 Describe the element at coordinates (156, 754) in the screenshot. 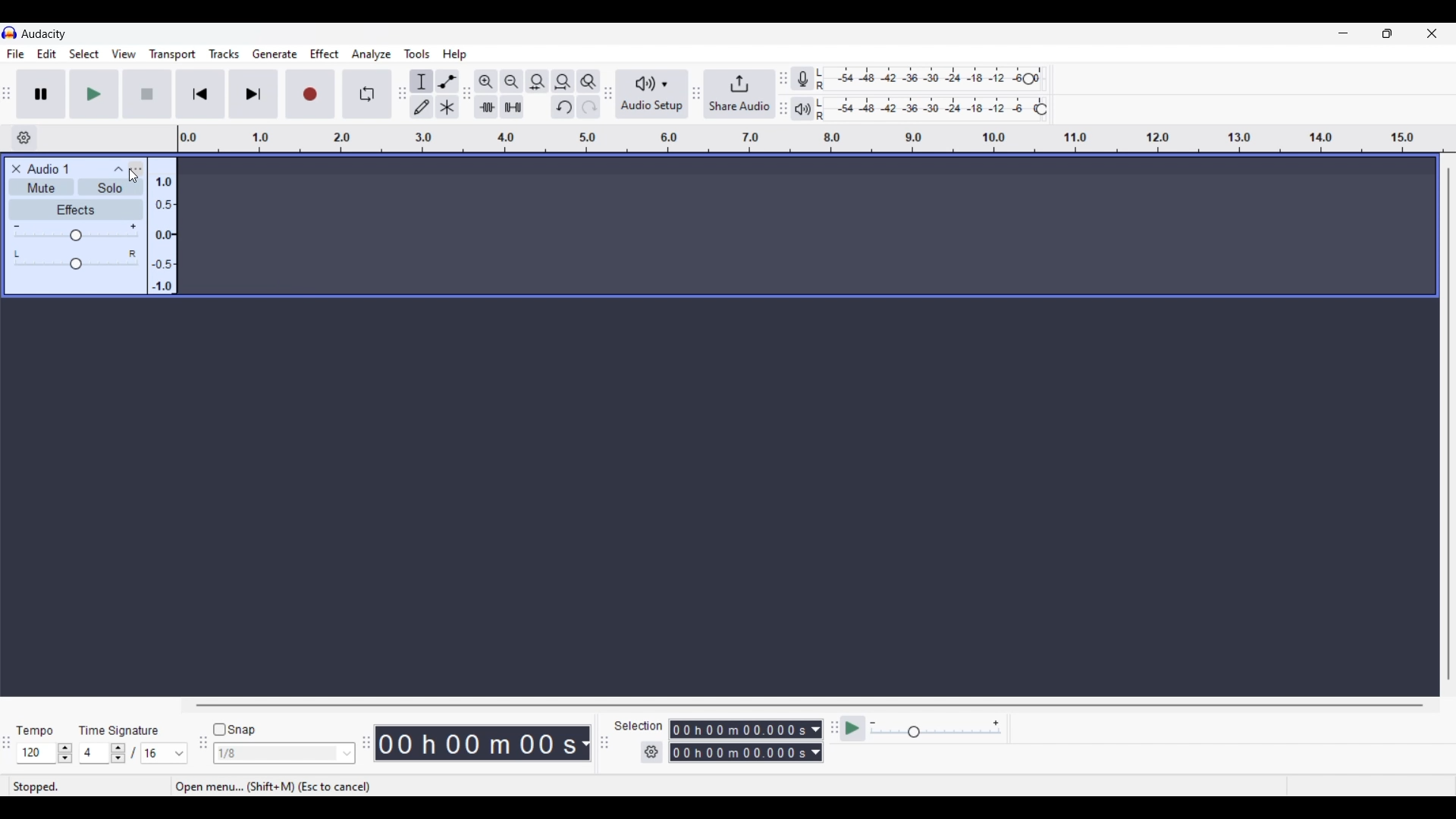

I see `Selected time signature` at that location.